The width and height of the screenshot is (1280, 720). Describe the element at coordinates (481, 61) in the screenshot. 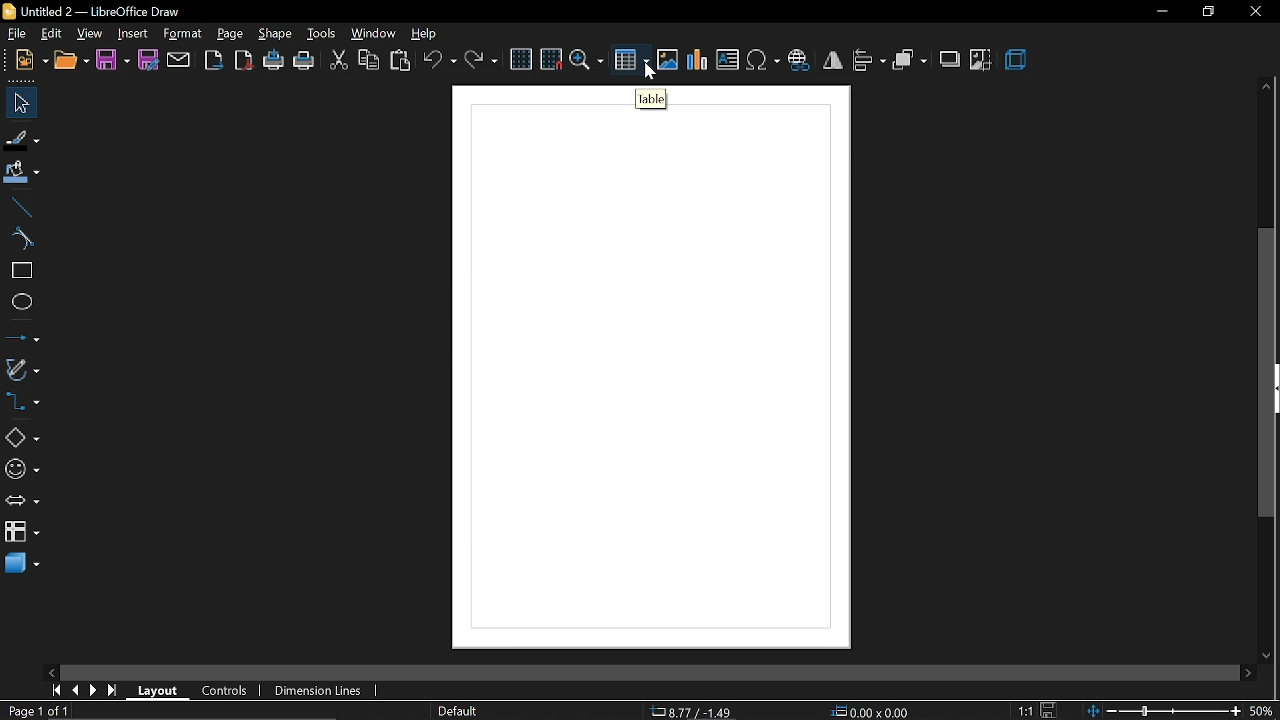

I see `redo` at that location.